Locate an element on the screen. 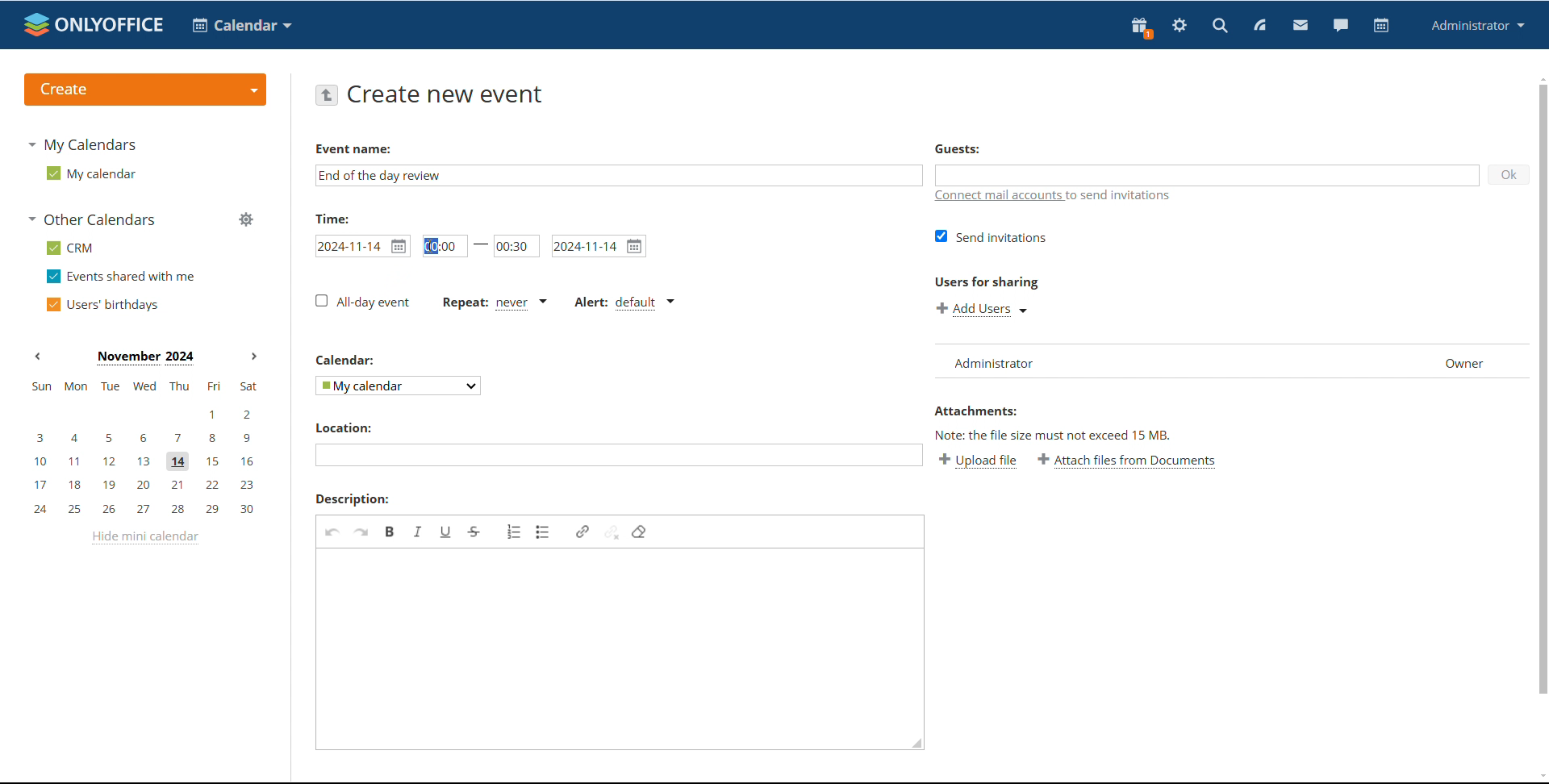  add location is located at coordinates (618, 455).